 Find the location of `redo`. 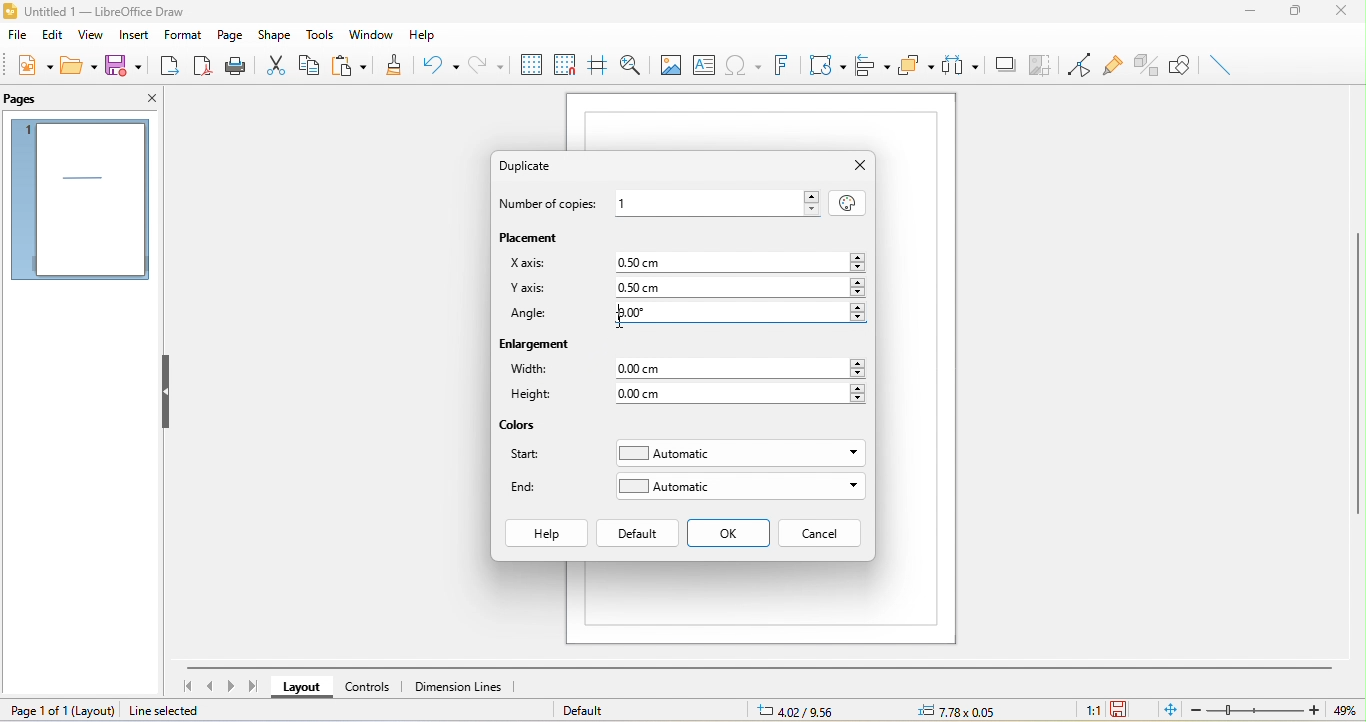

redo is located at coordinates (487, 63).